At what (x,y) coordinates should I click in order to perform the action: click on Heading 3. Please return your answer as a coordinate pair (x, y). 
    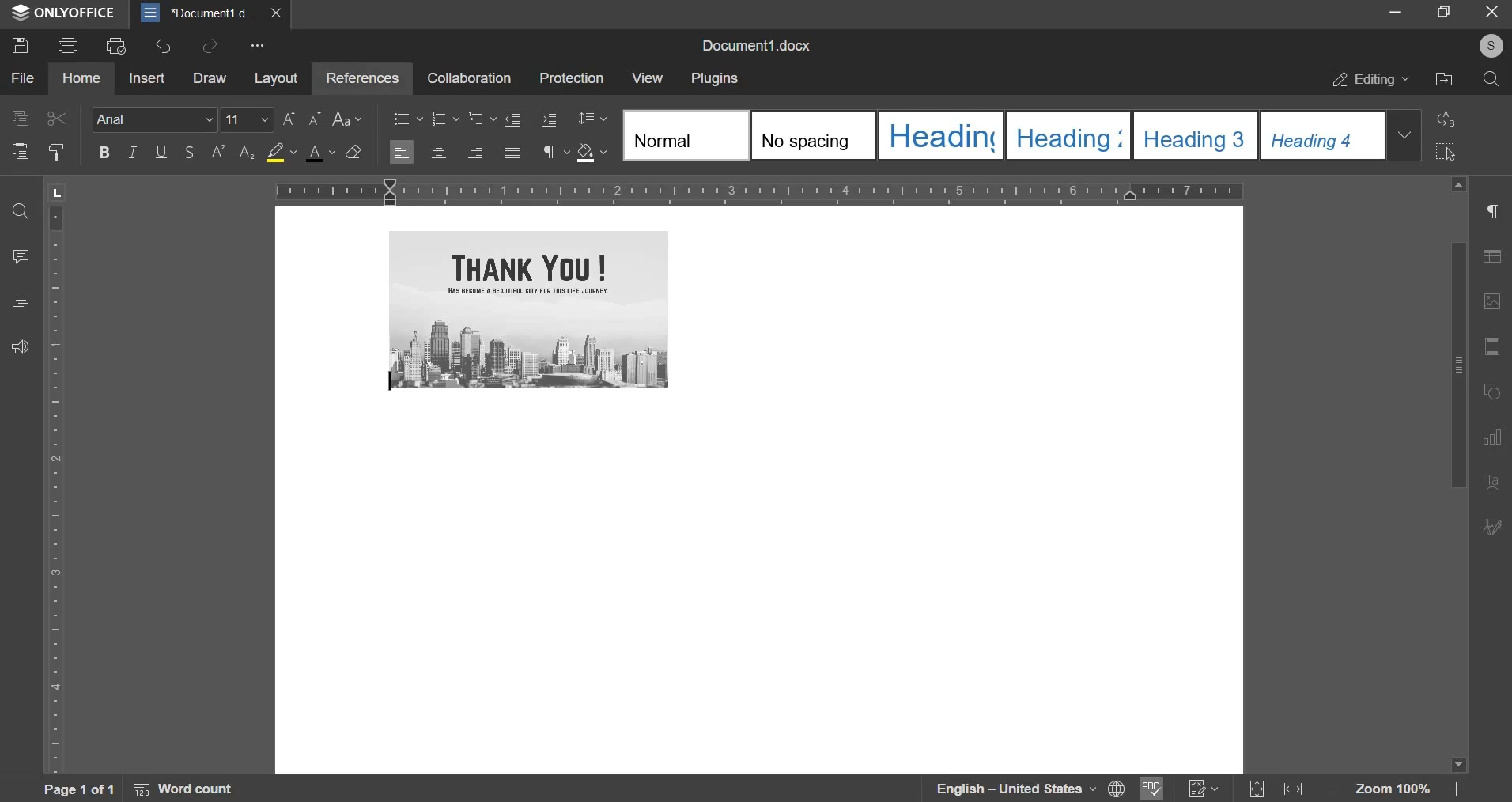
    Looking at the image, I should click on (1196, 135).